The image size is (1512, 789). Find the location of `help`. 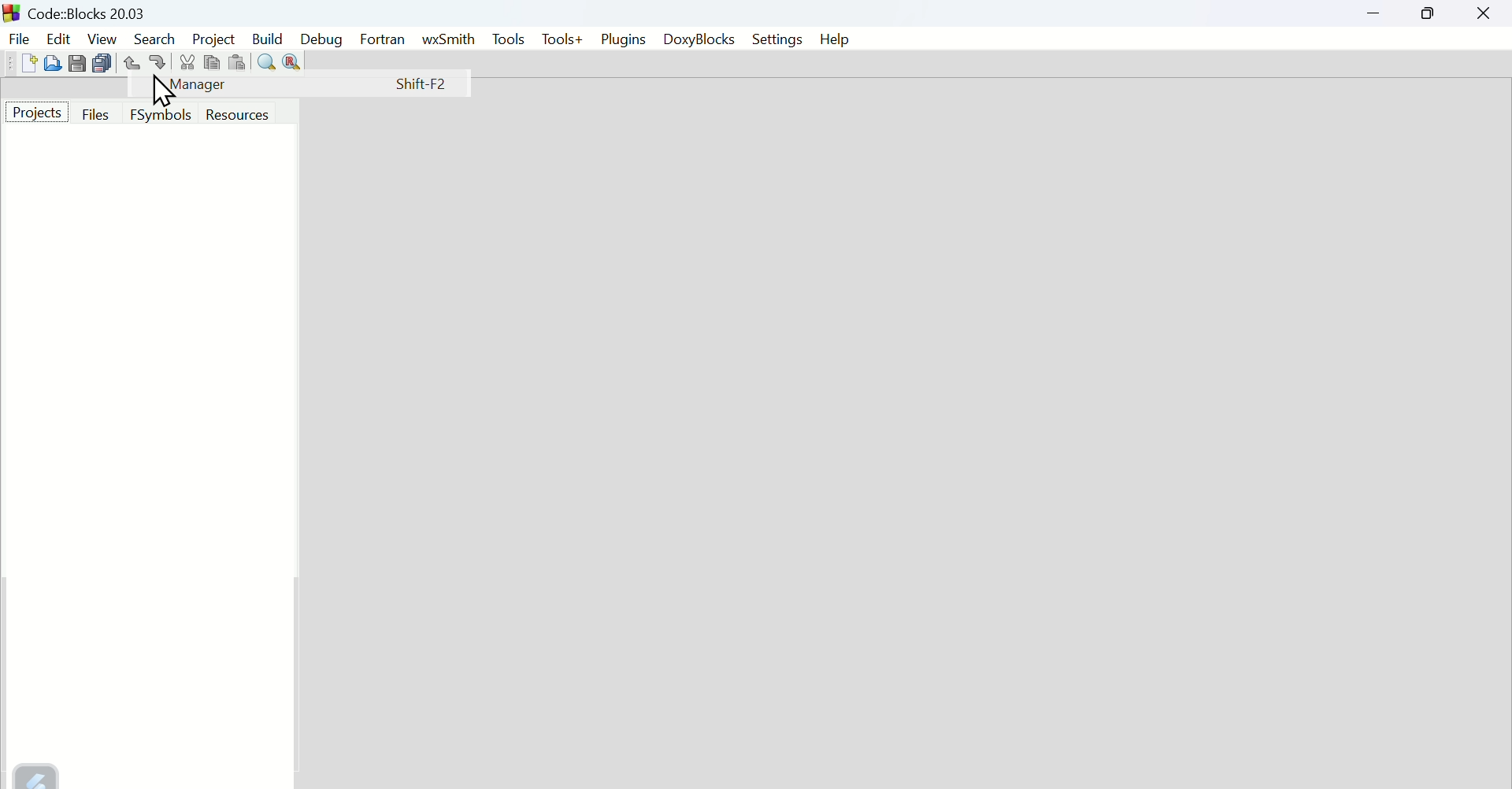

help is located at coordinates (835, 39).